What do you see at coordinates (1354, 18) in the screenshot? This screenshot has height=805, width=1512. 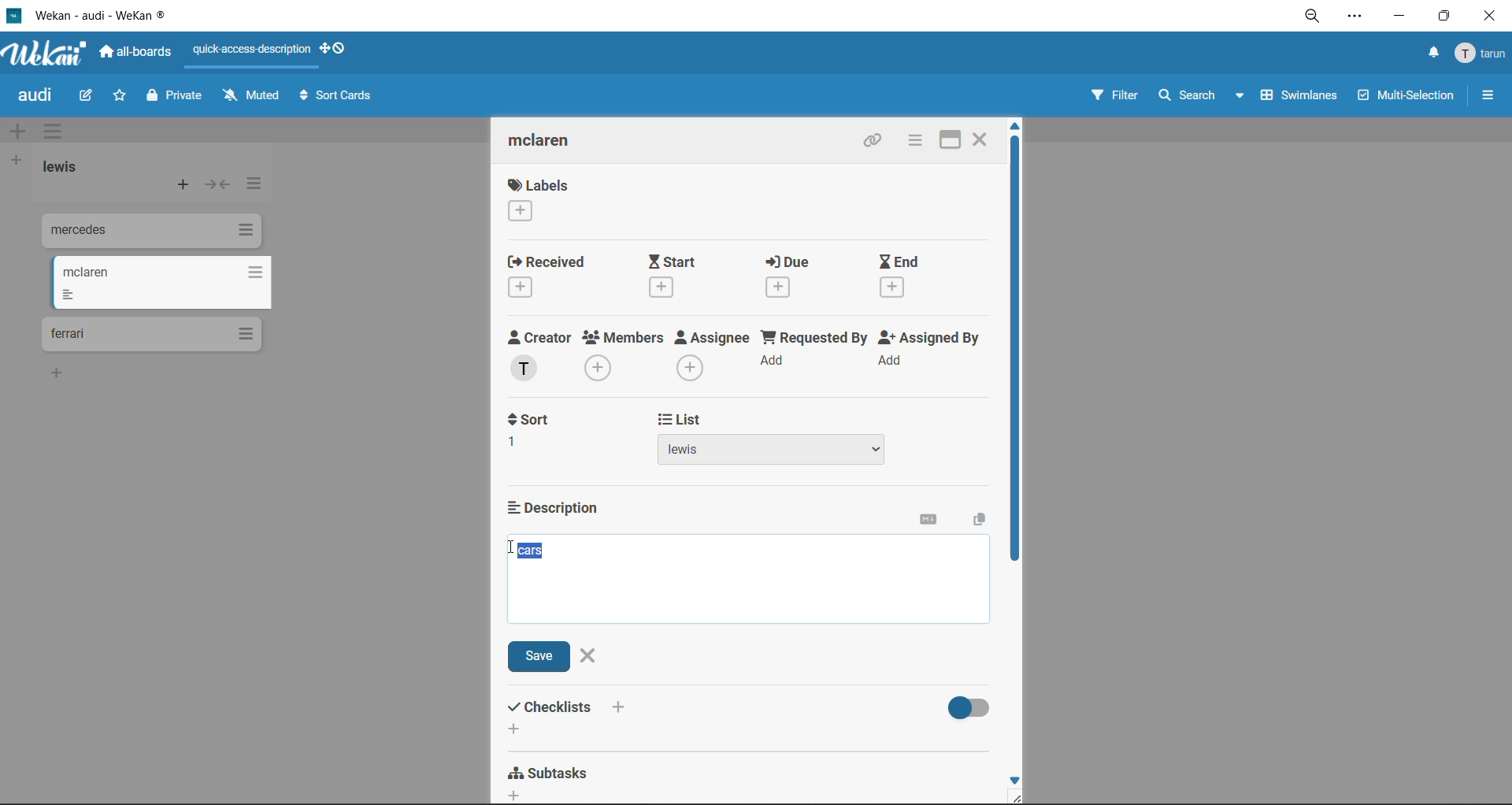 I see `settings` at bounding box center [1354, 18].